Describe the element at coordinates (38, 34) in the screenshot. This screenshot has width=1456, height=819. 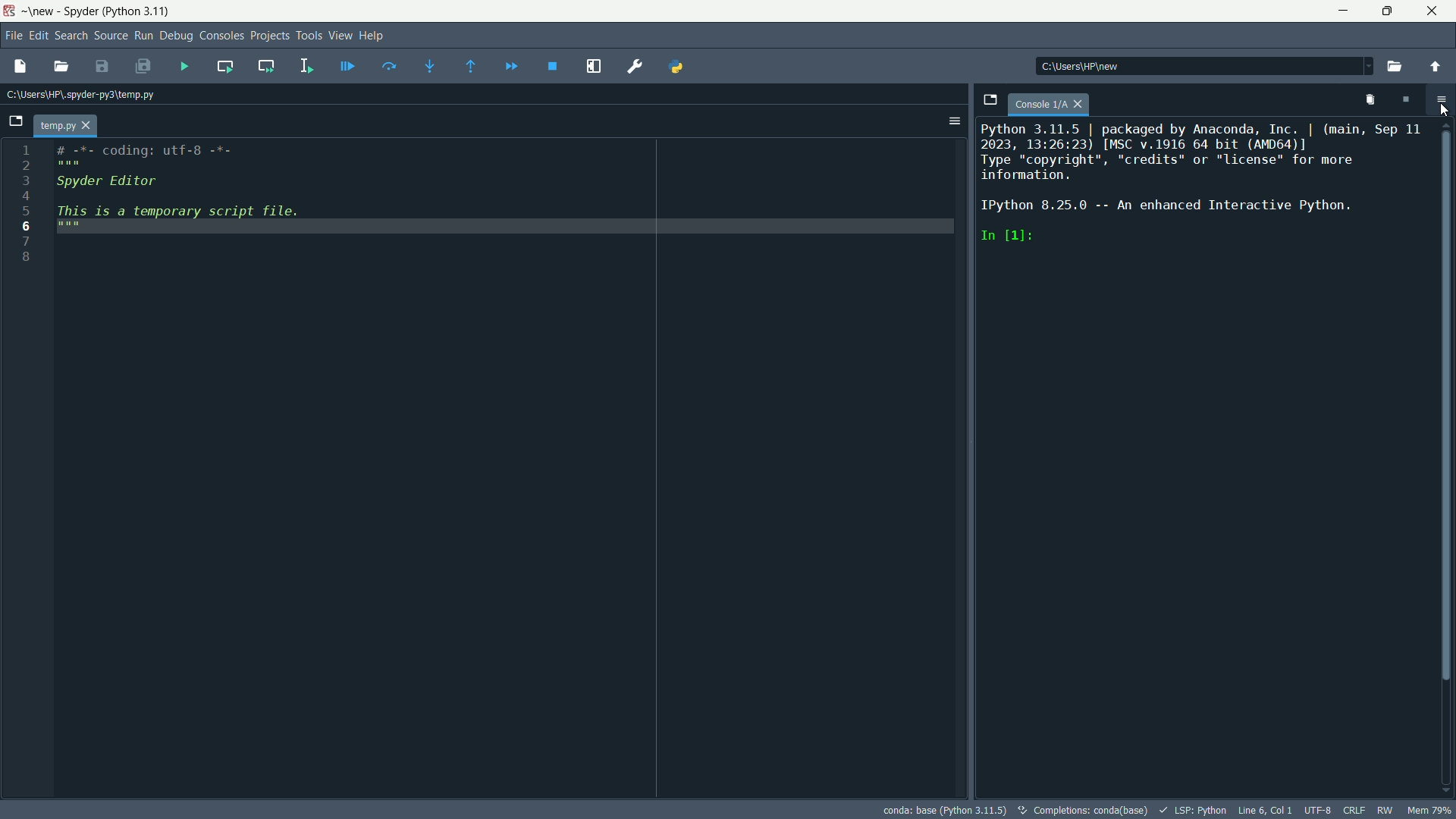
I see `edit menu` at that location.